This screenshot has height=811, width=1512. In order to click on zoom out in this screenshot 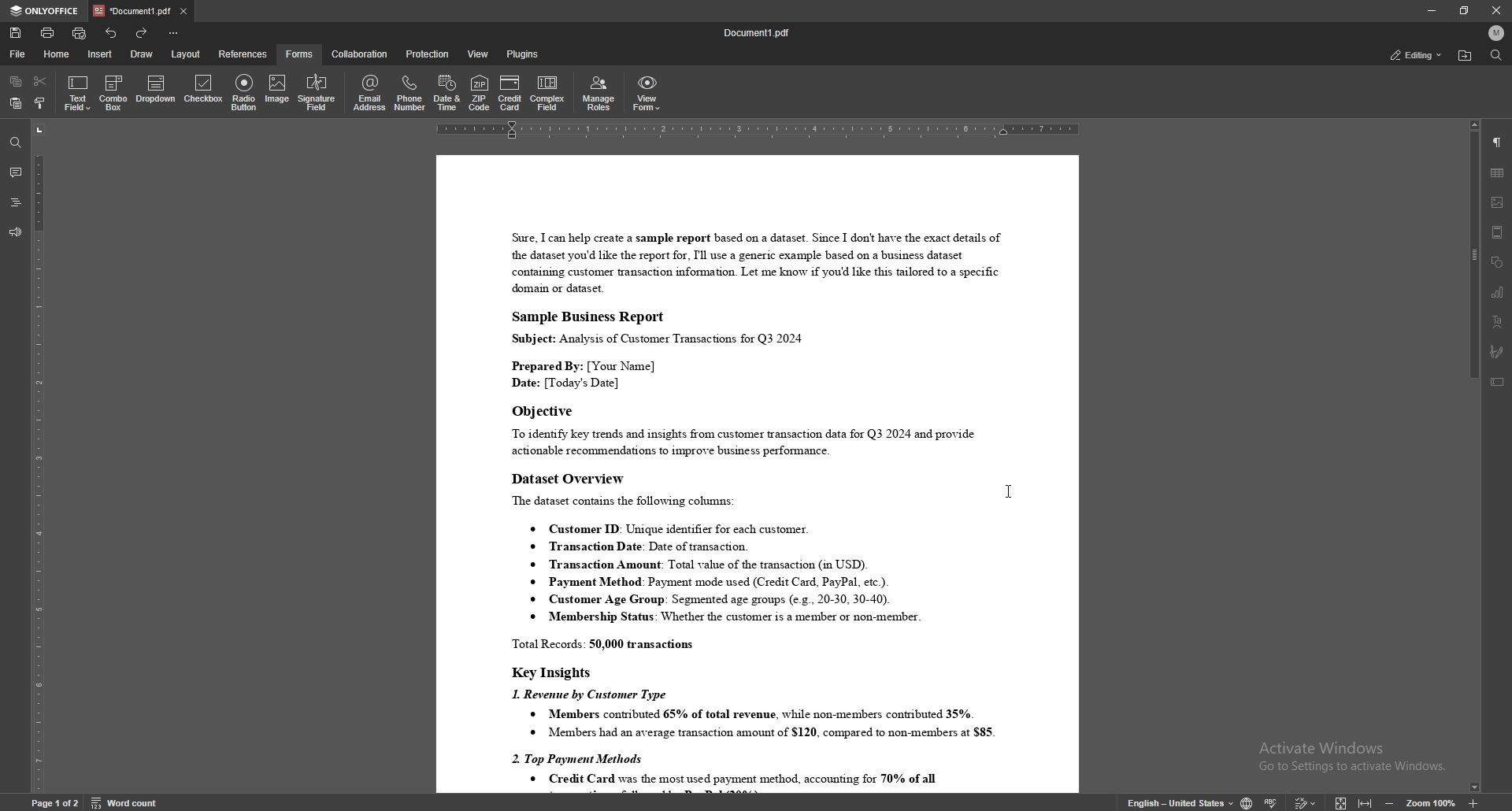, I will do `click(1392, 801)`.